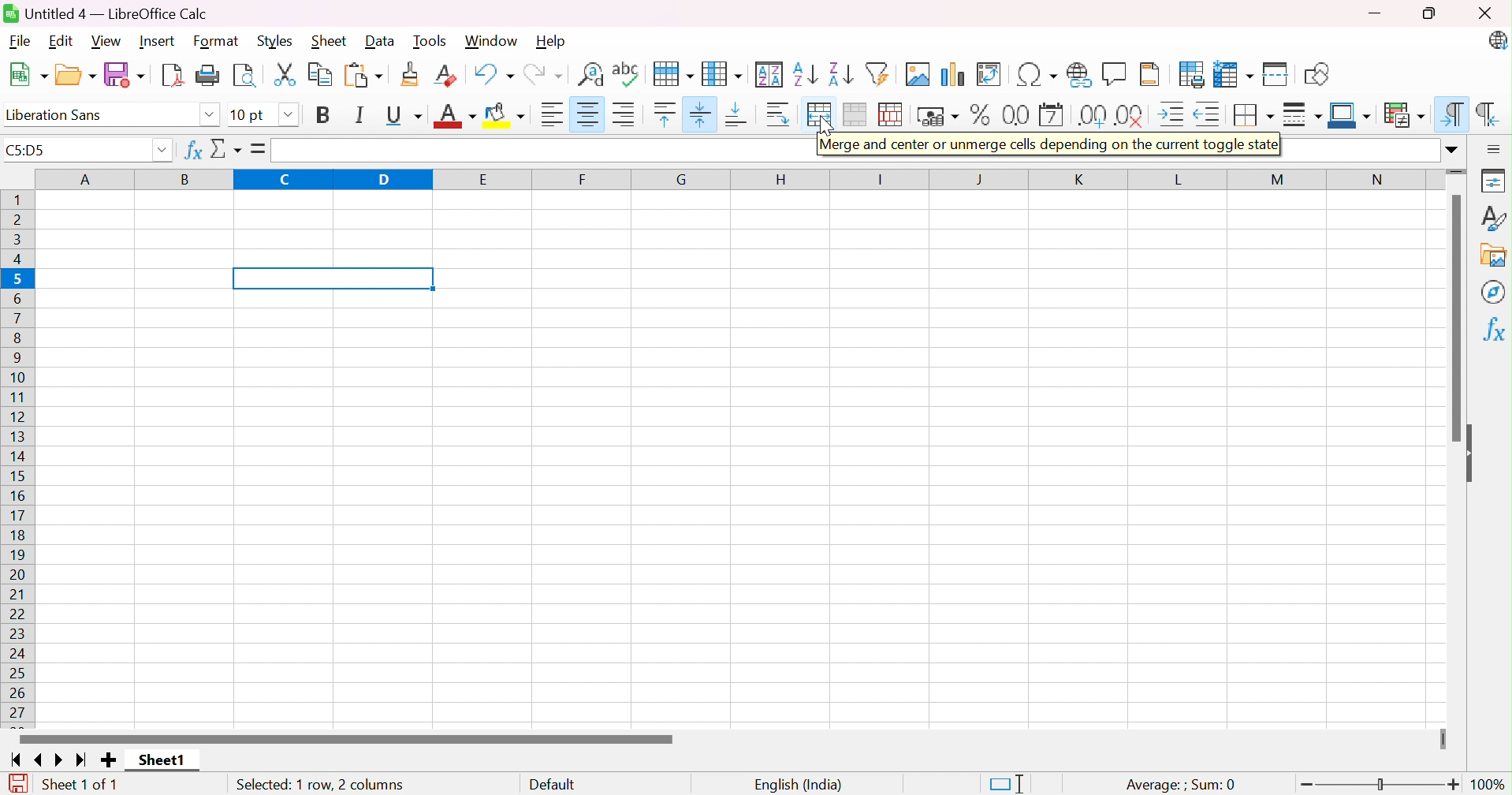 The height and width of the screenshot is (795, 1512). I want to click on Left-To-Right, so click(1454, 113).